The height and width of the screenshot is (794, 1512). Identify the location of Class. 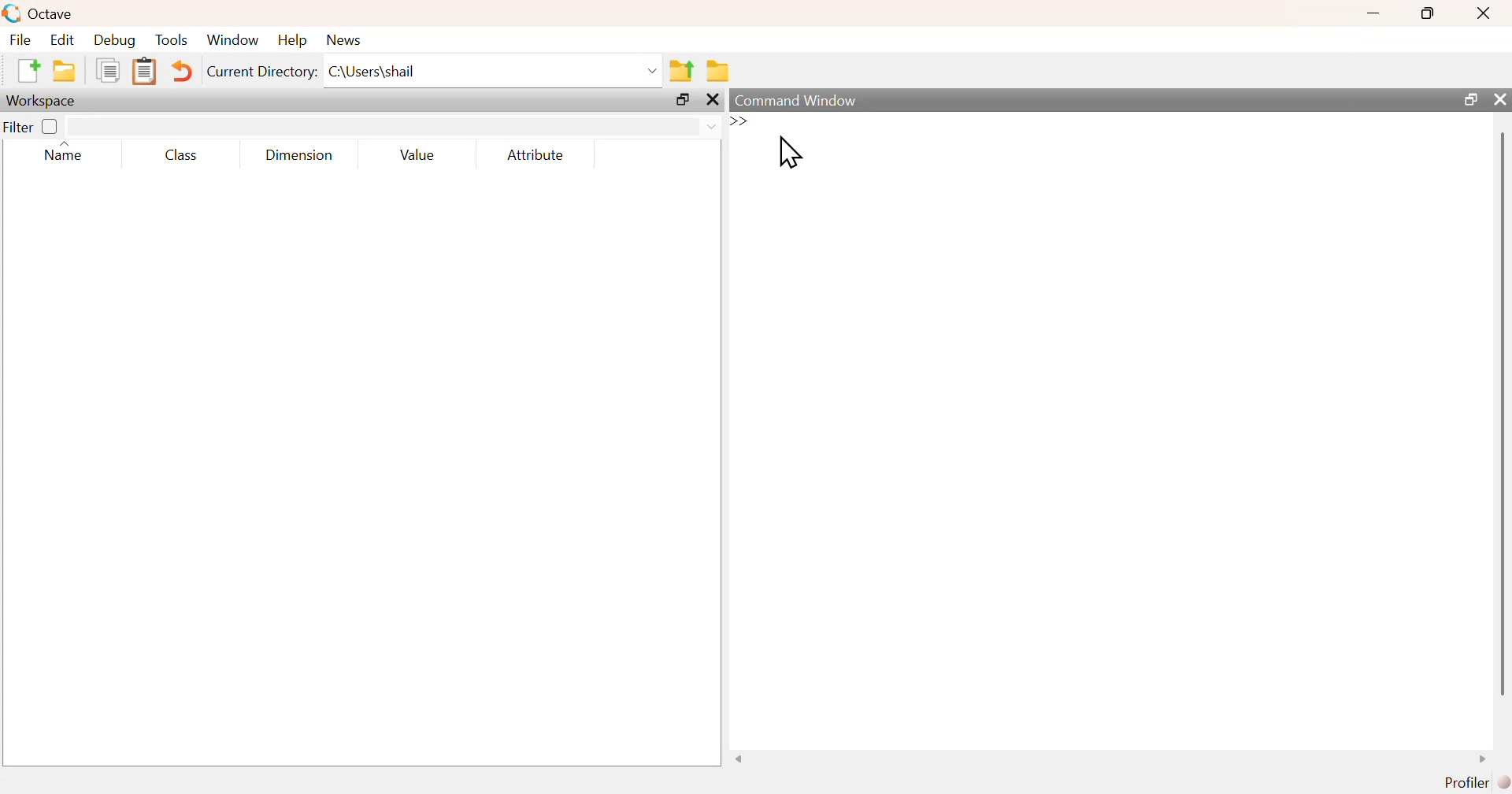
(181, 154).